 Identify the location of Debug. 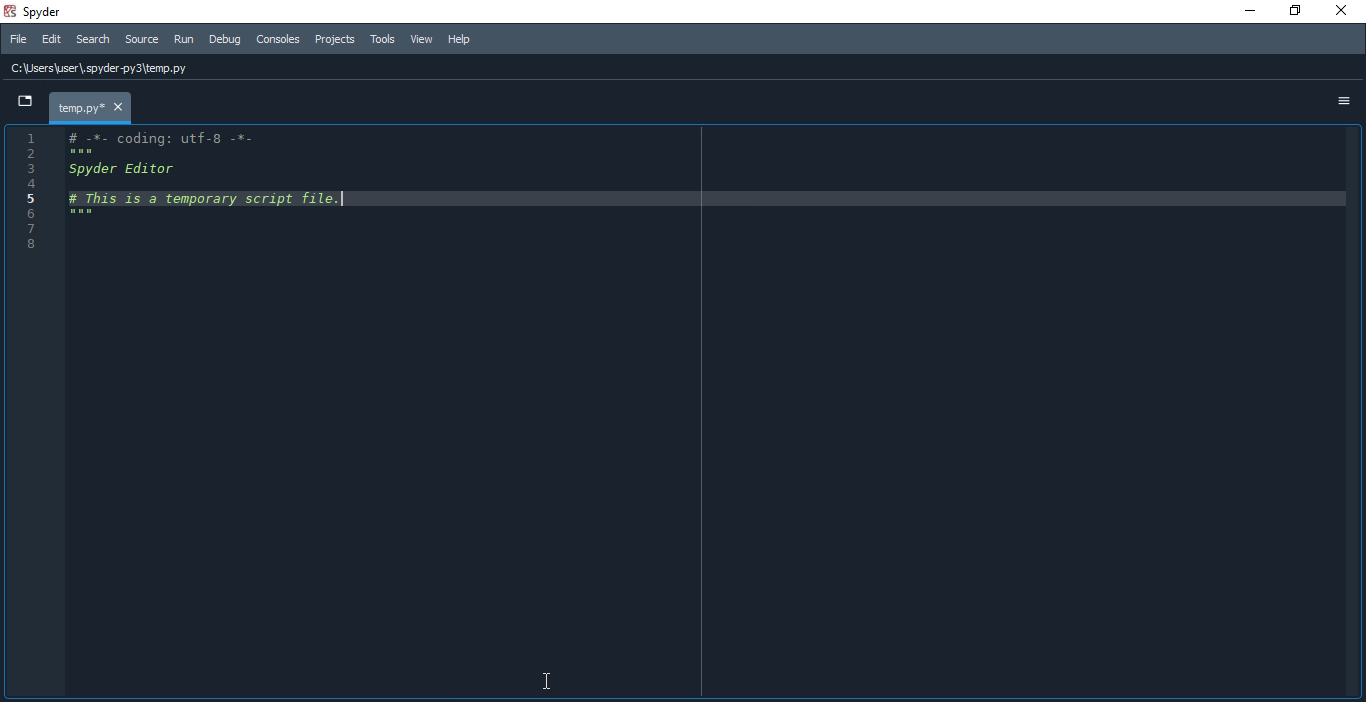
(224, 40).